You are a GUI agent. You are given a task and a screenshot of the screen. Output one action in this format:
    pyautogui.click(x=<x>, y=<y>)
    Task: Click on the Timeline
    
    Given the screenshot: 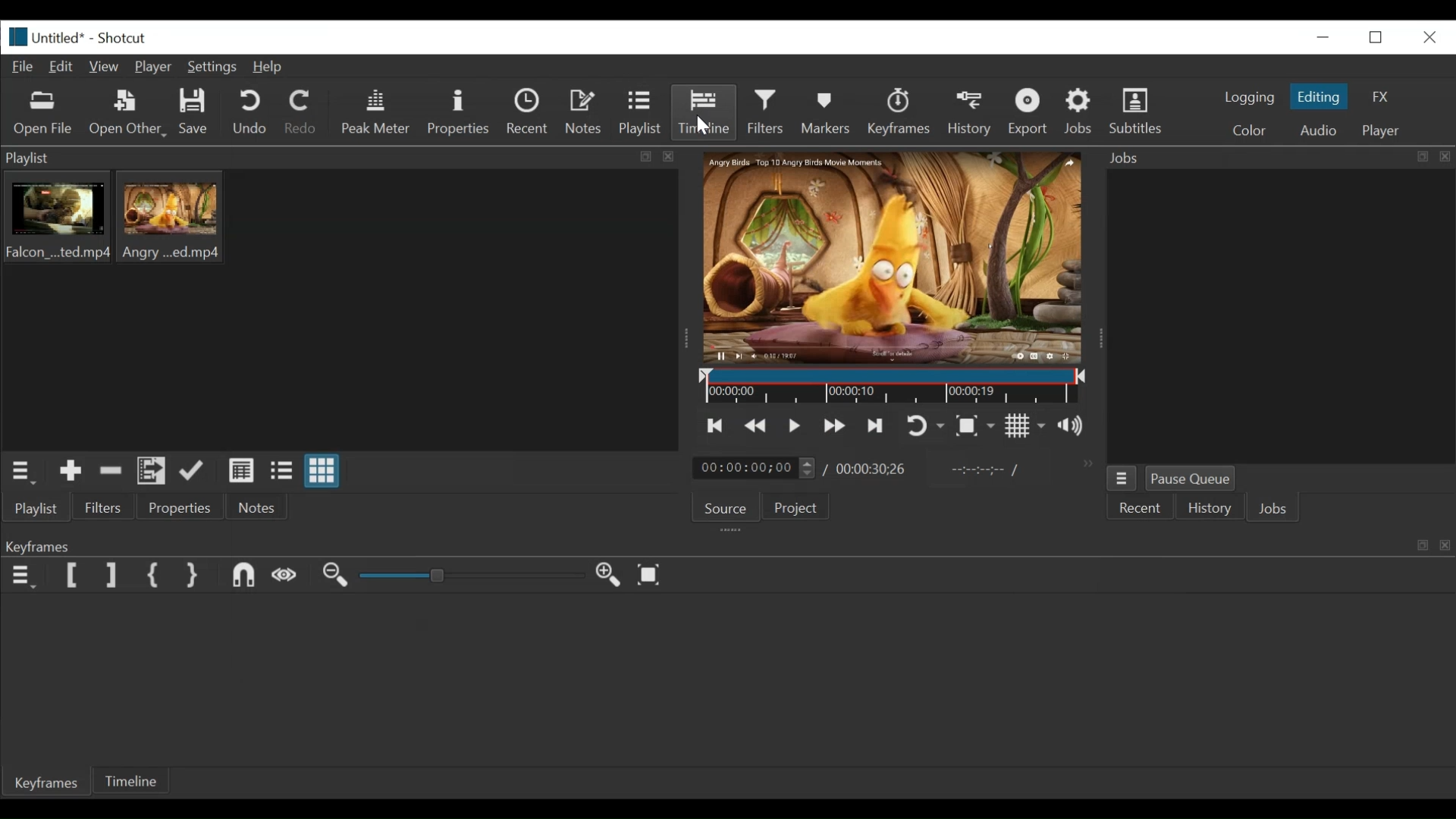 What is the action you would take?
    pyautogui.click(x=894, y=387)
    